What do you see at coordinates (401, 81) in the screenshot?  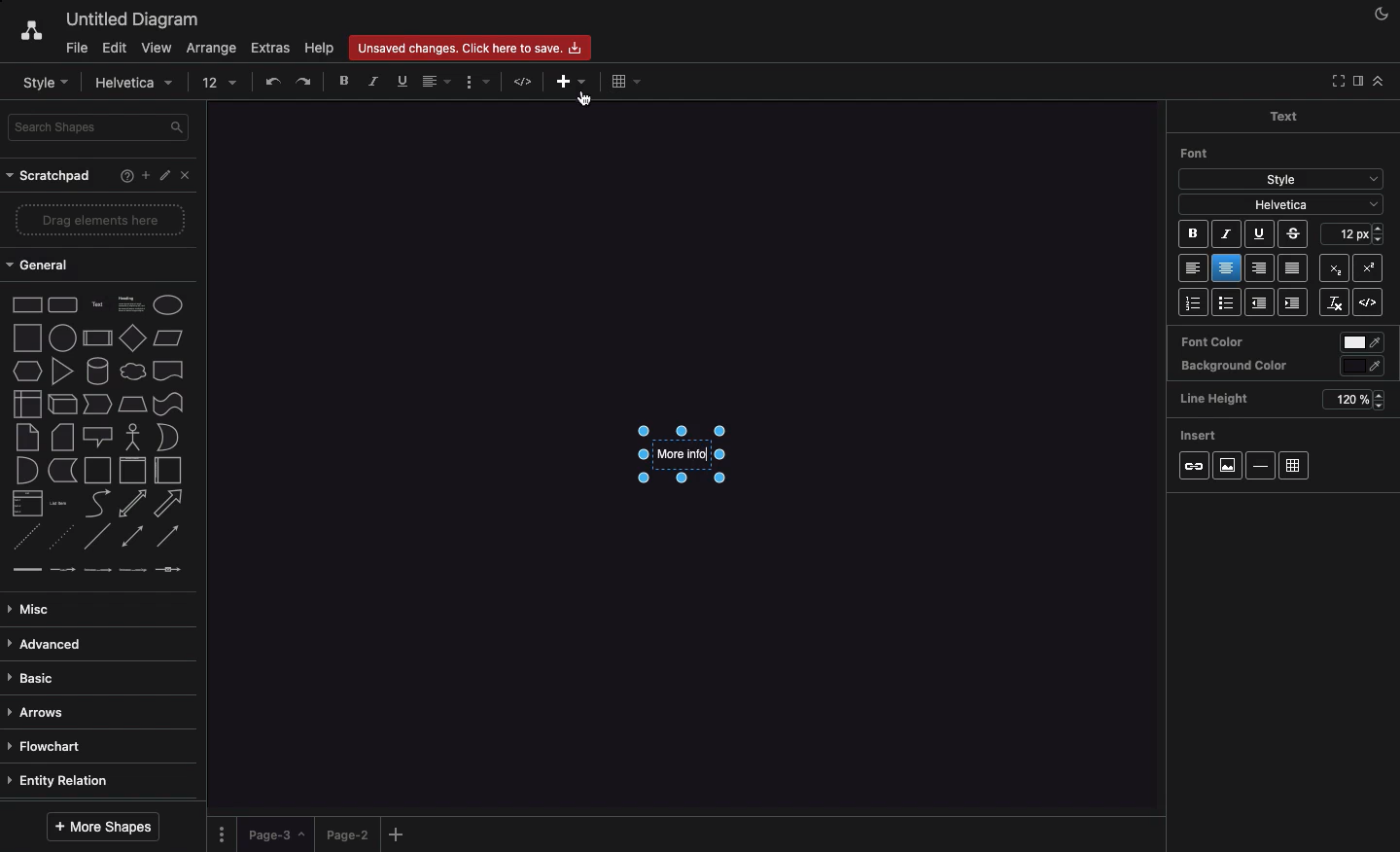 I see `Underline` at bounding box center [401, 81].